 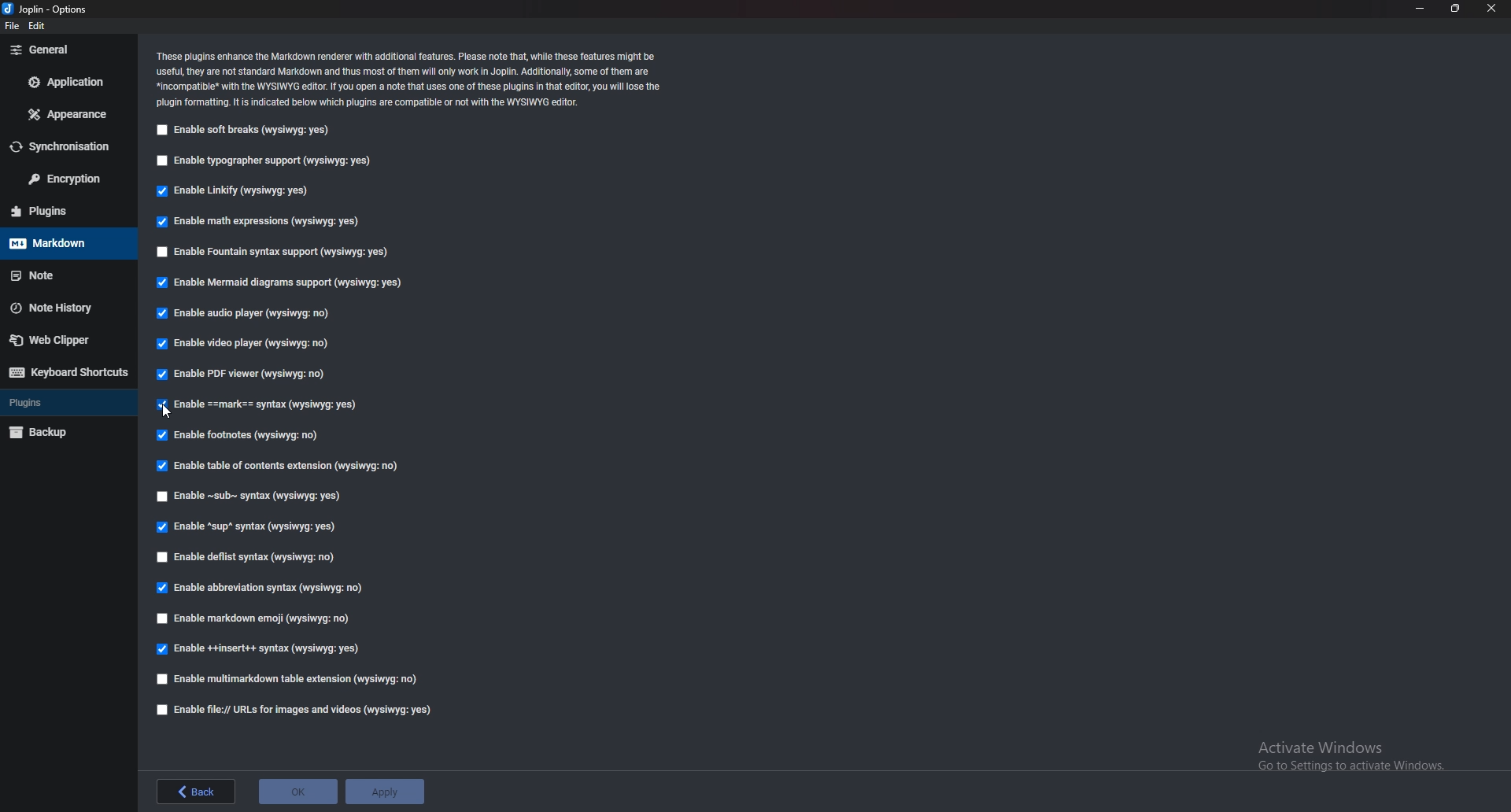 What do you see at coordinates (239, 191) in the screenshot?
I see `Enable linkify` at bounding box center [239, 191].